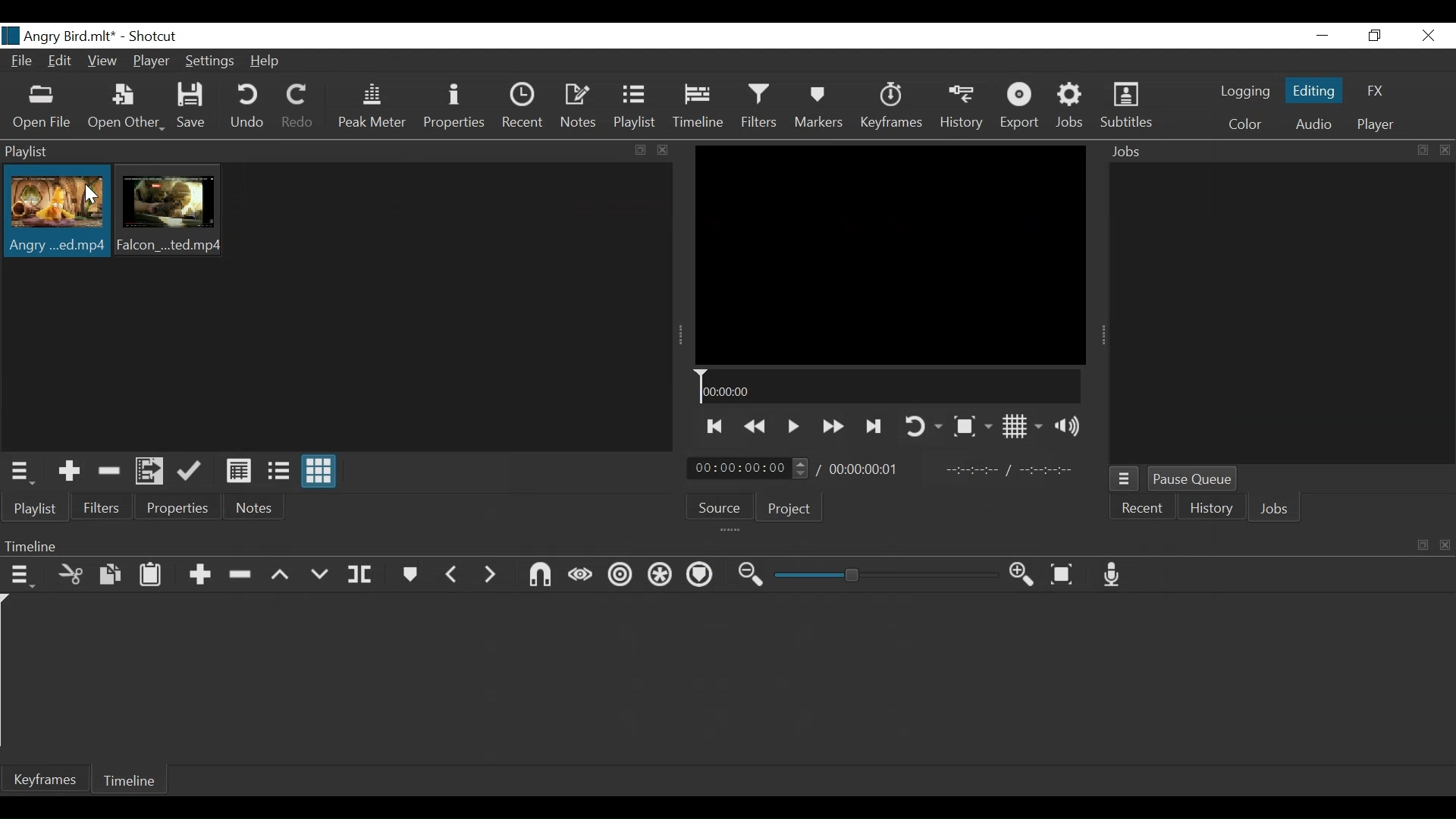 This screenshot has width=1456, height=819. Describe the element at coordinates (921, 425) in the screenshot. I see `Toggle player looping` at that location.